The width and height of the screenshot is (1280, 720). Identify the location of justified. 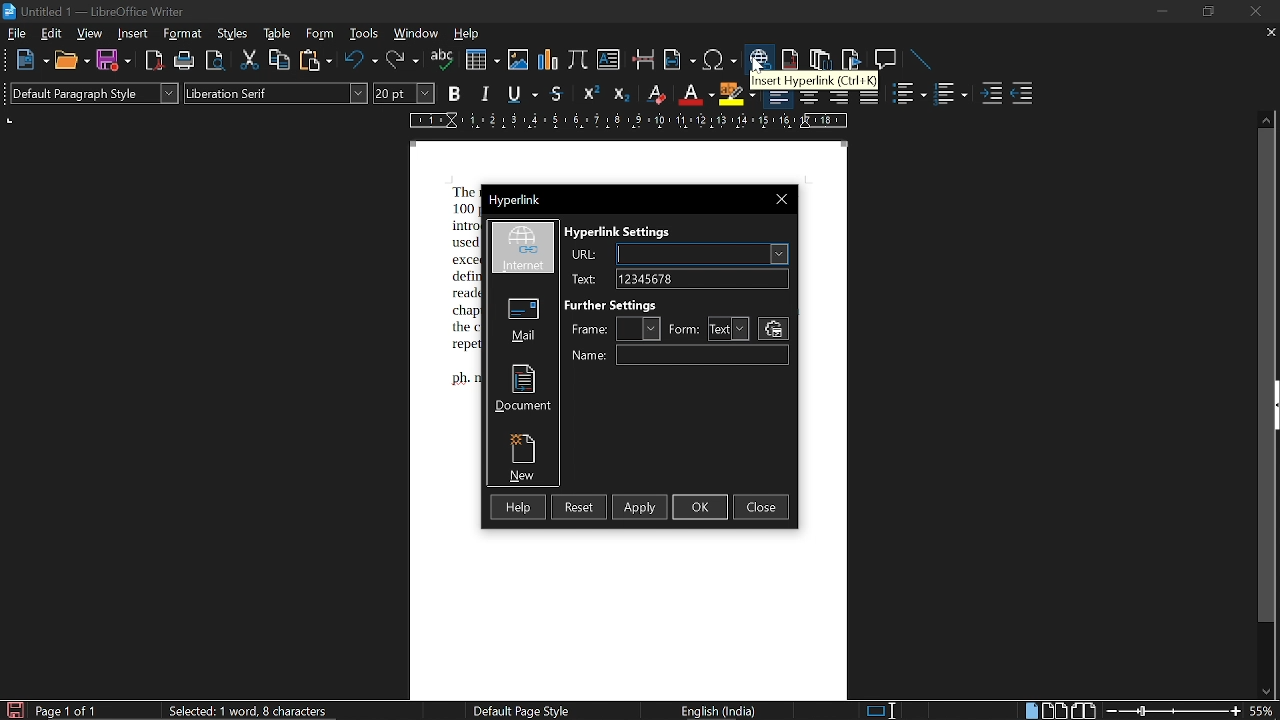
(872, 95).